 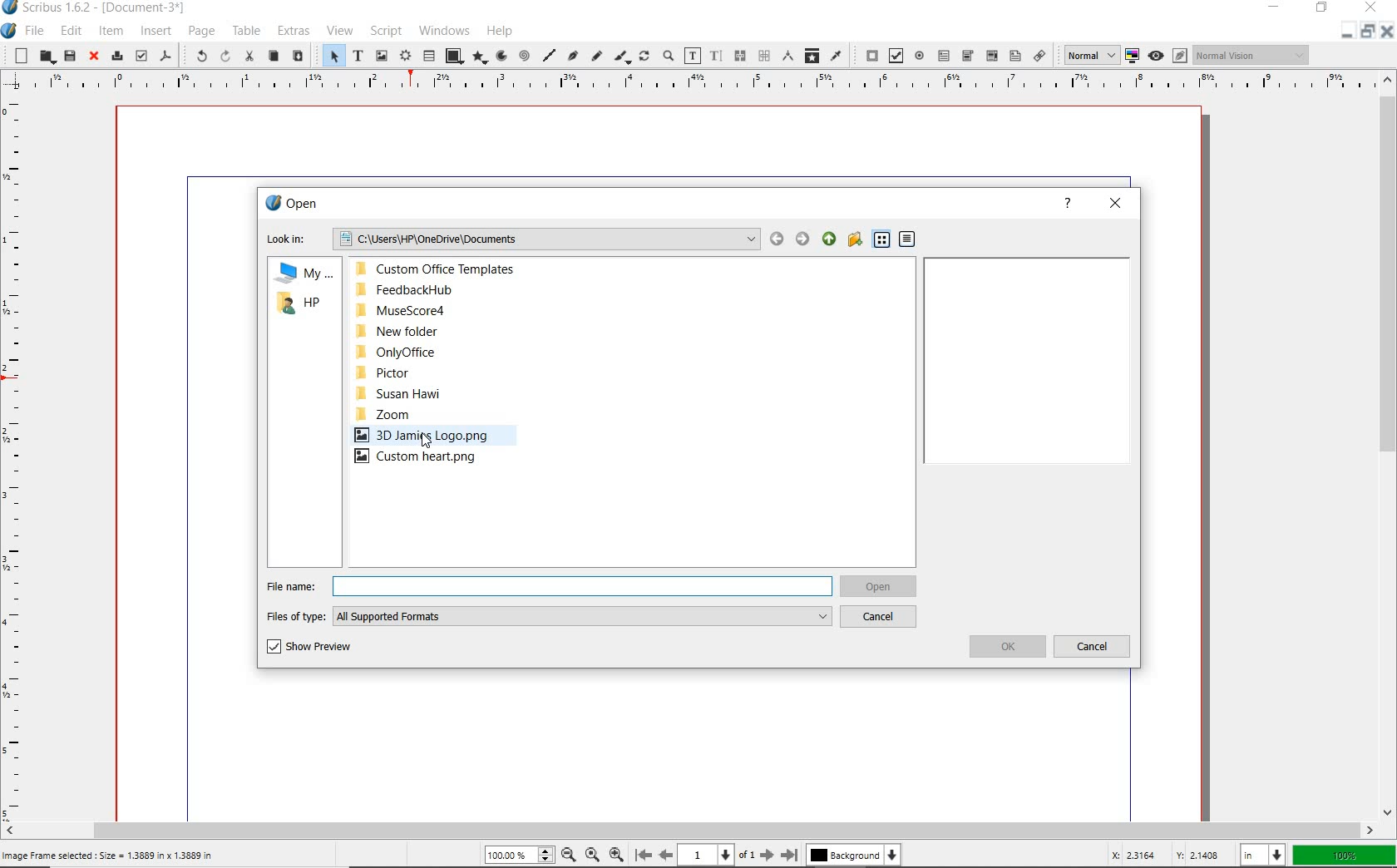 I want to click on RESTORE, so click(x=1322, y=8).